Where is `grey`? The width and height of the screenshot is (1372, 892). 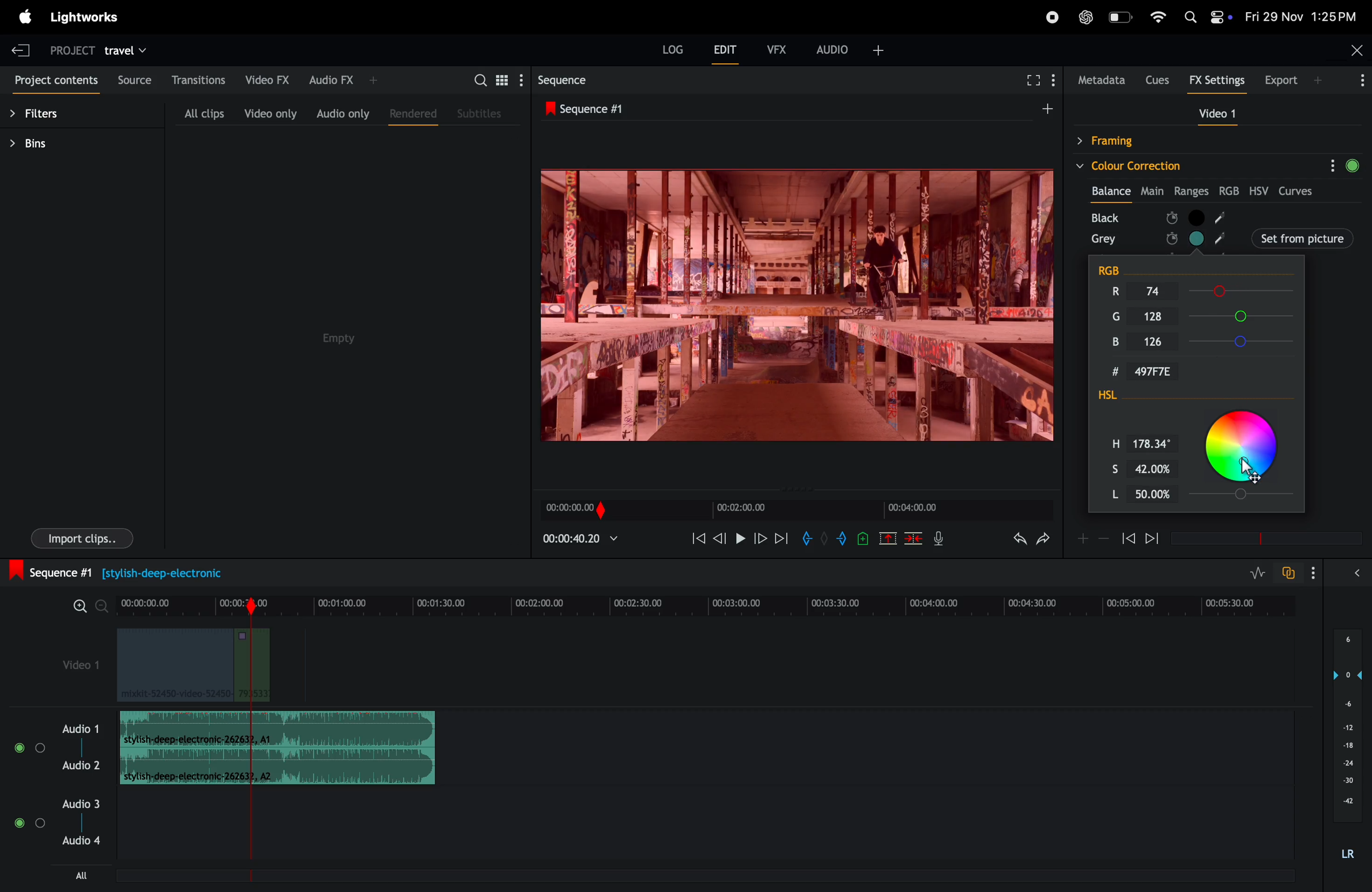 grey is located at coordinates (1104, 239).